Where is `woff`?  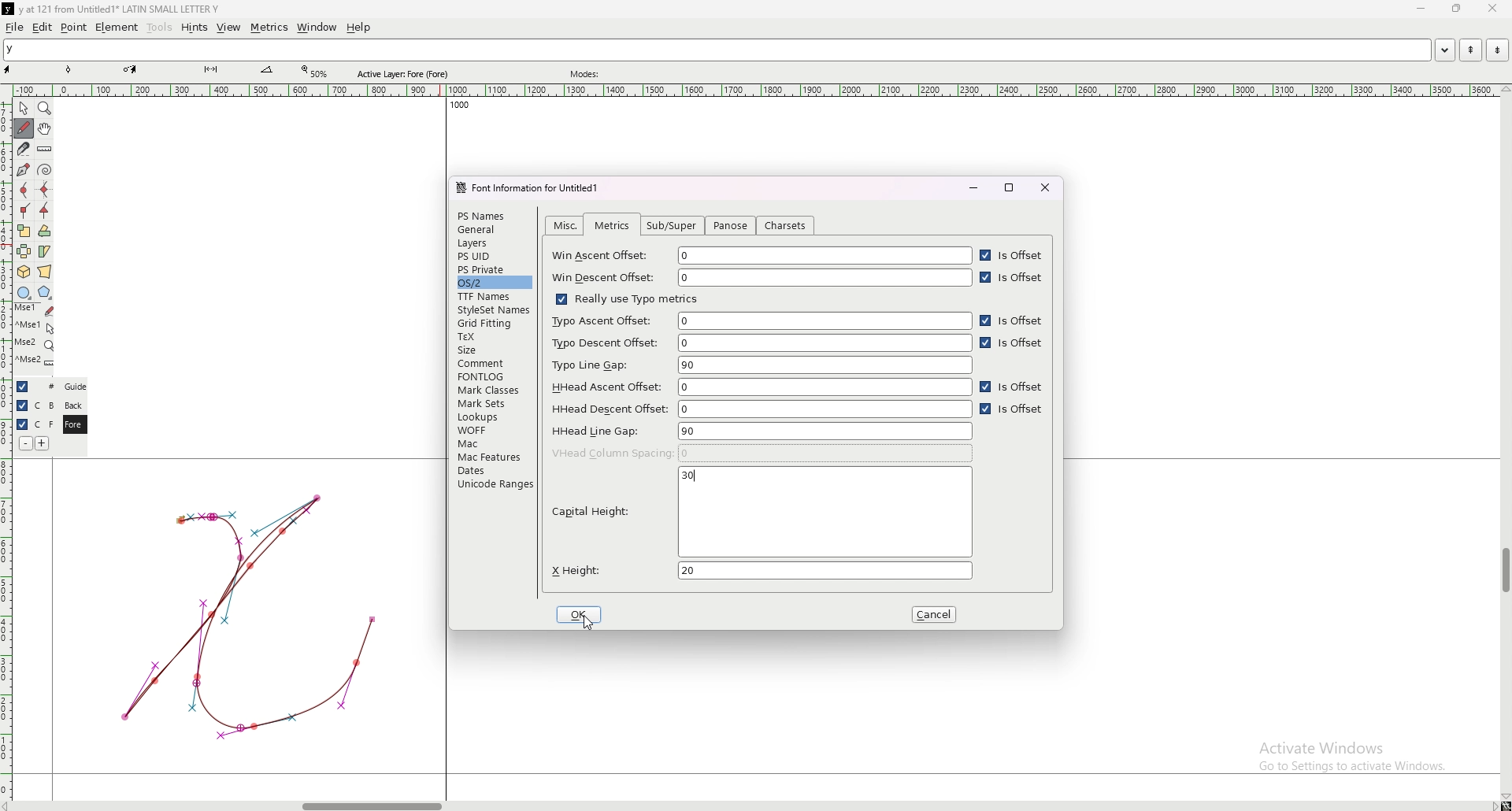 woff is located at coordinates (492, 430).